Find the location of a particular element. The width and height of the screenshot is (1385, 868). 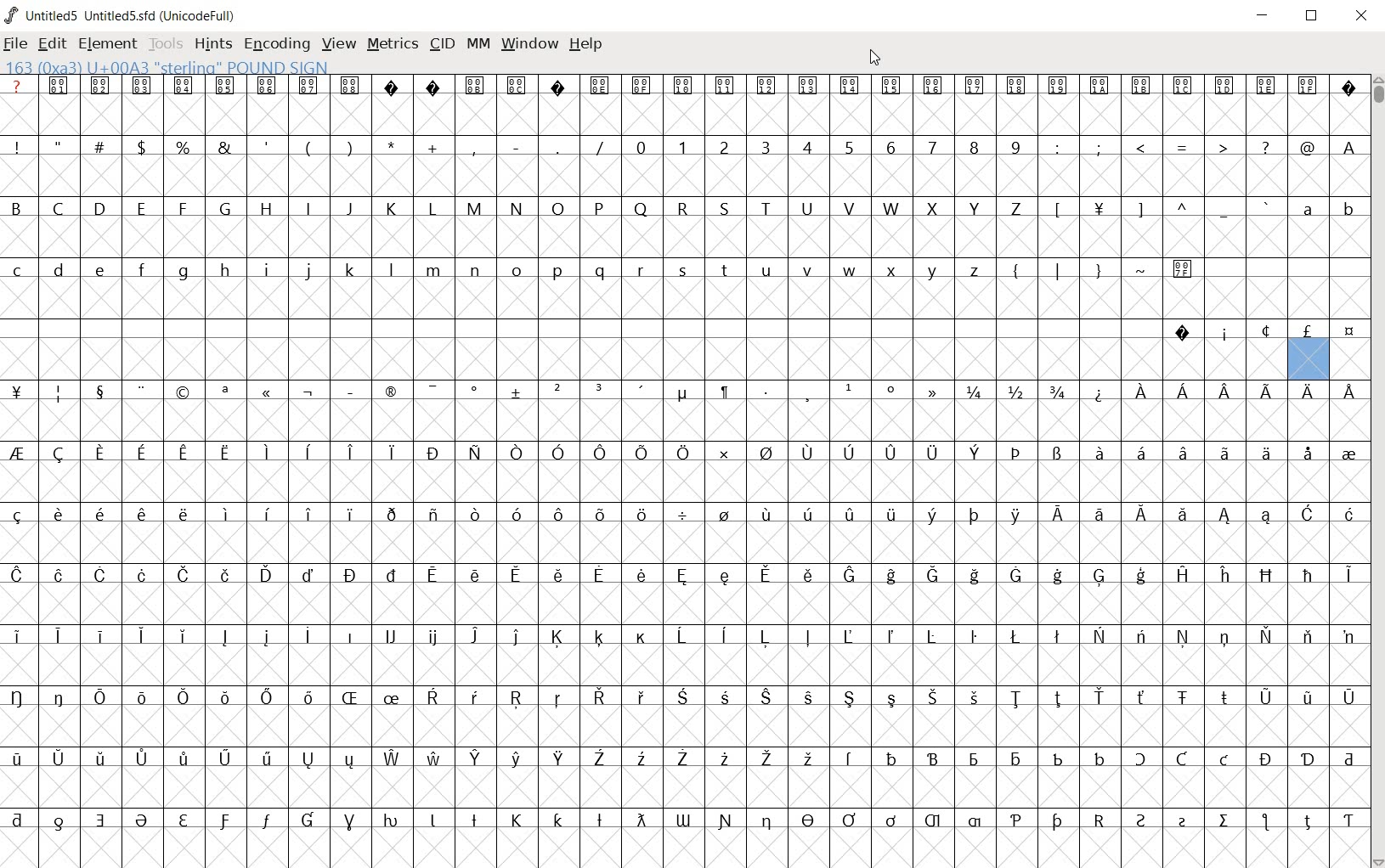

Symbol is located at coordinates (349, 822).